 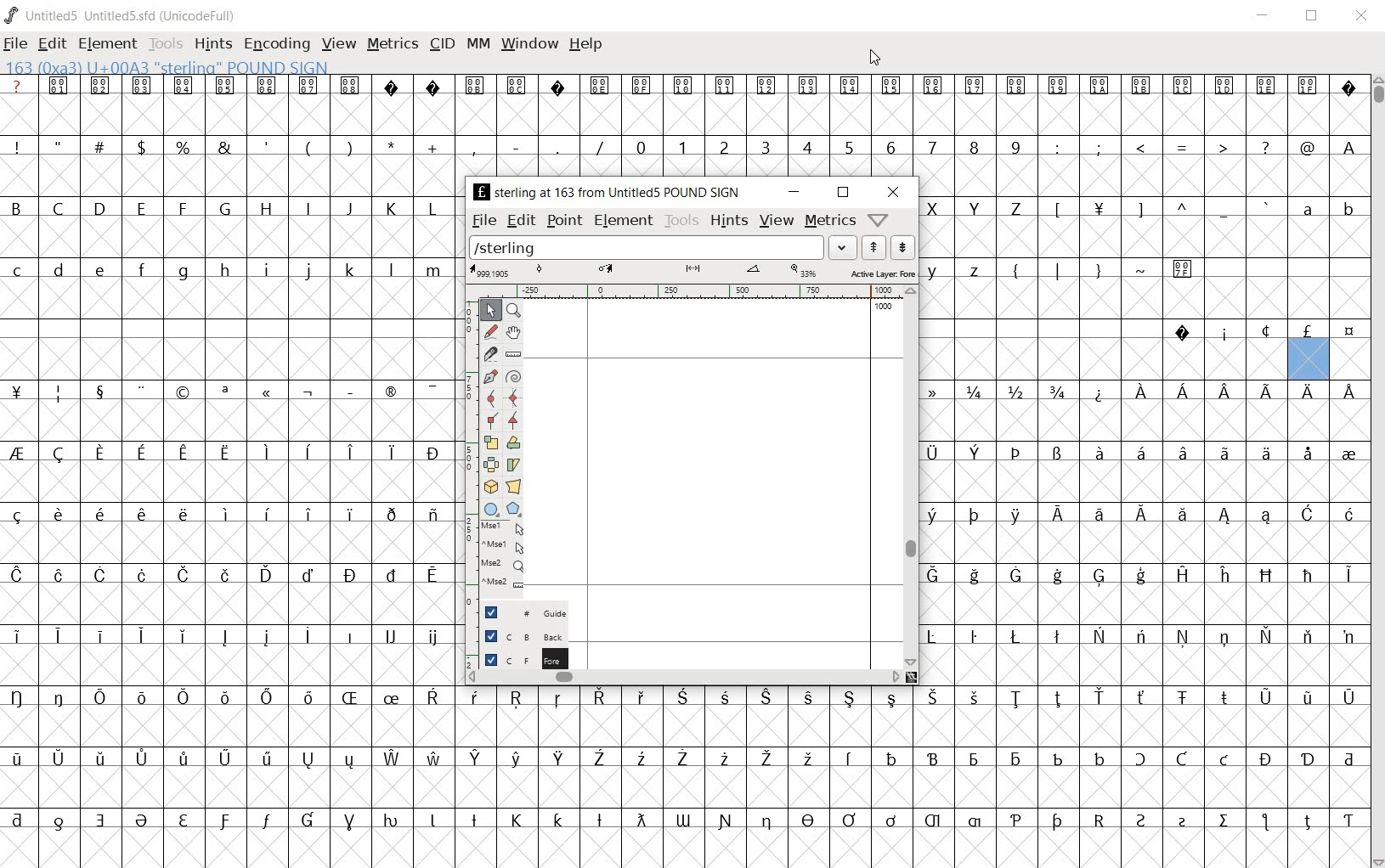 I want to click on Symbol, so click(x=224, y=821).